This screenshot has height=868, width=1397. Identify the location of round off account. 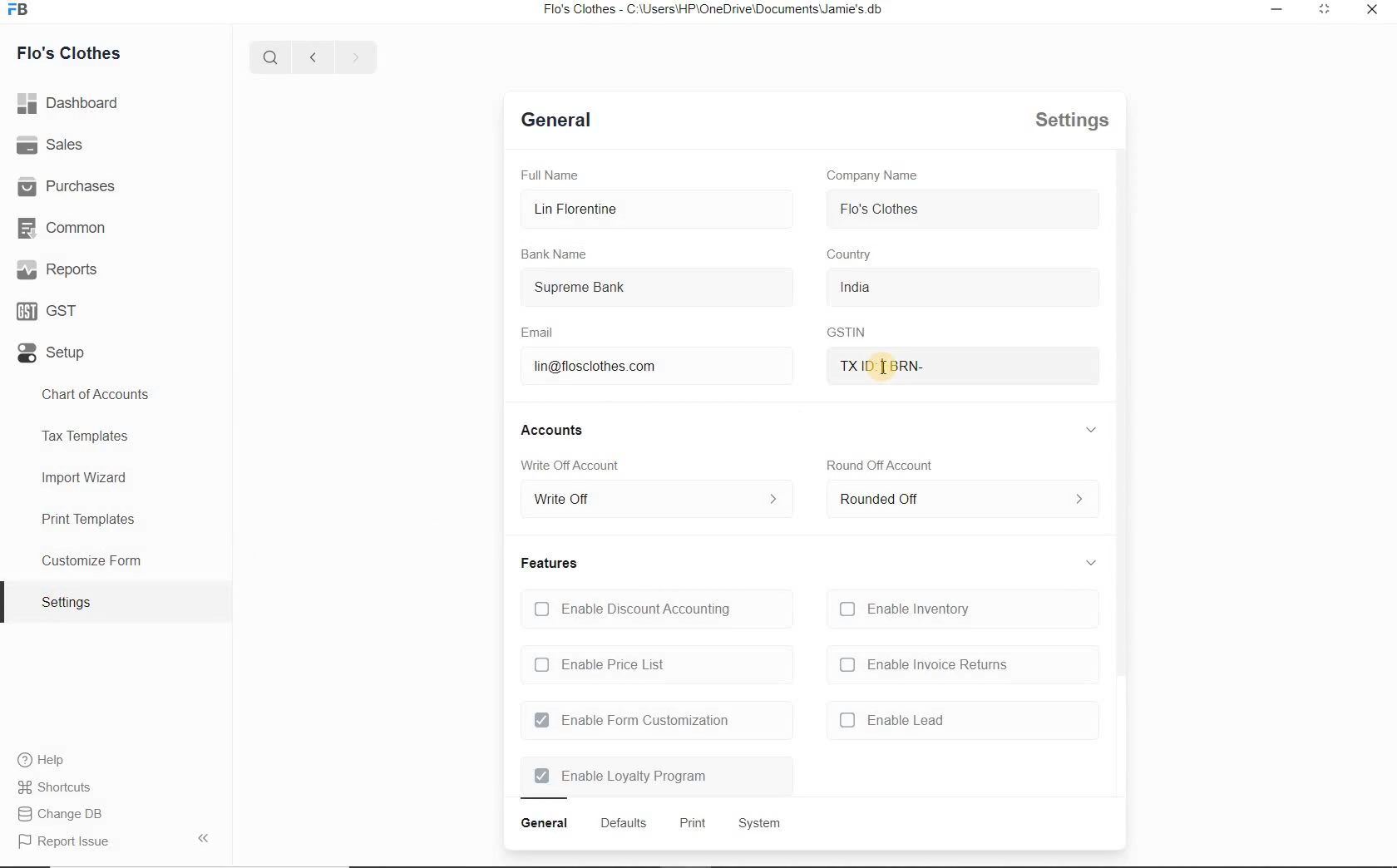
(880, 465).